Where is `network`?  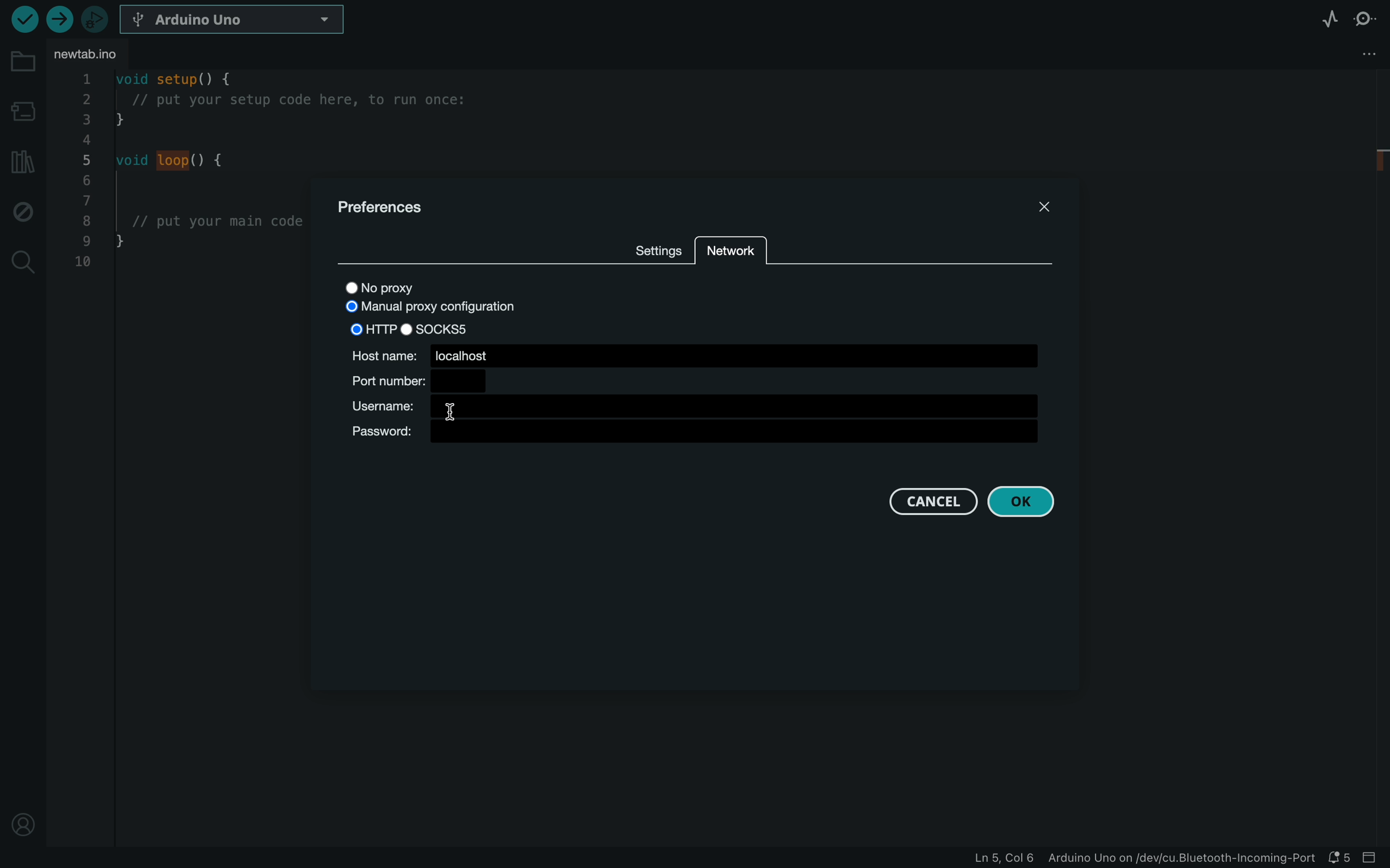
network is located at coordinates (729, 255).